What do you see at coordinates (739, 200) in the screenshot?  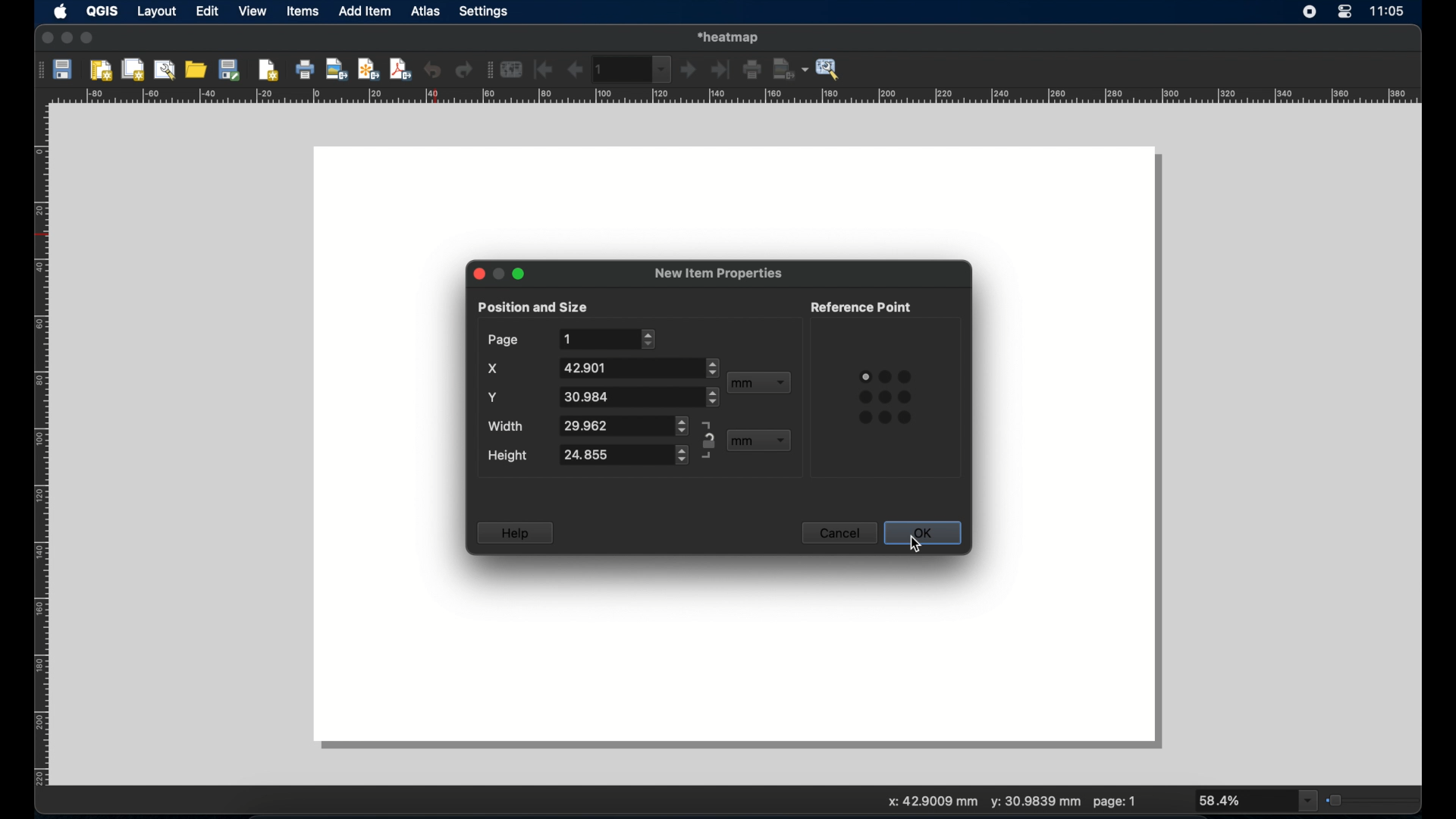 I see `blank layout` at bounding box center [739, 200].